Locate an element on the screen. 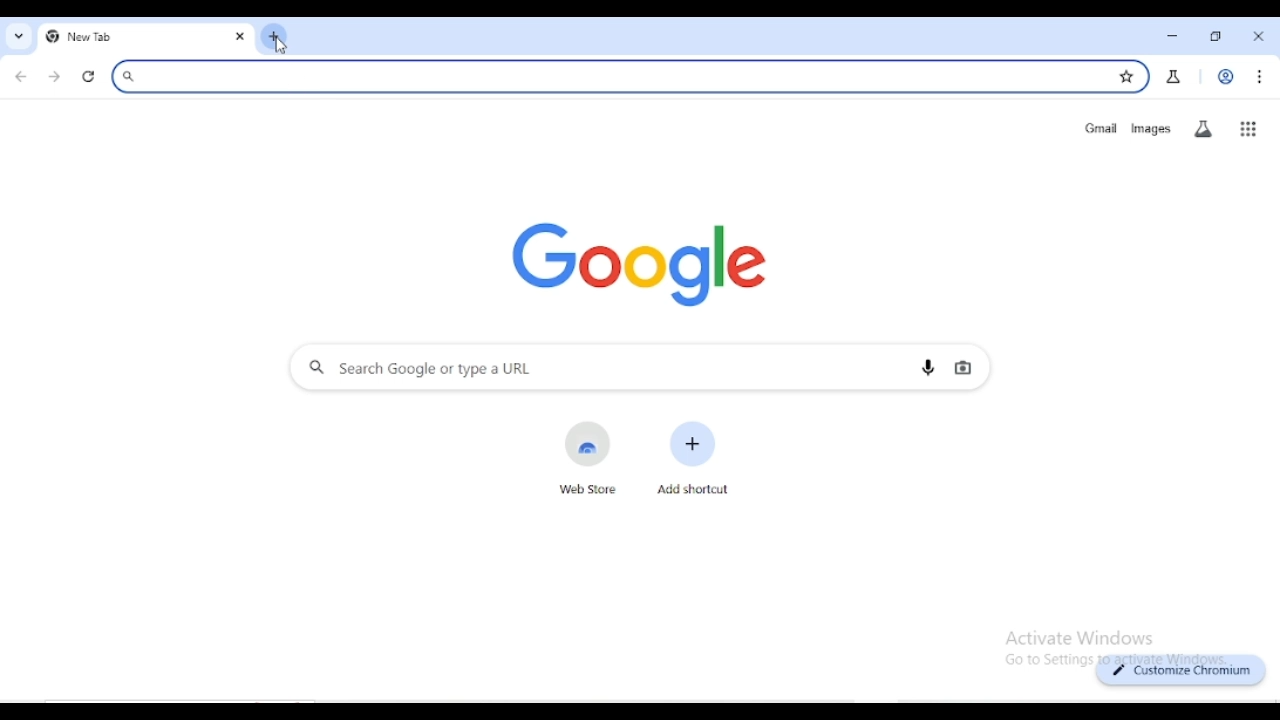 This screenshot has width=1280, height=720. web store is located at coordinates (588, 459).